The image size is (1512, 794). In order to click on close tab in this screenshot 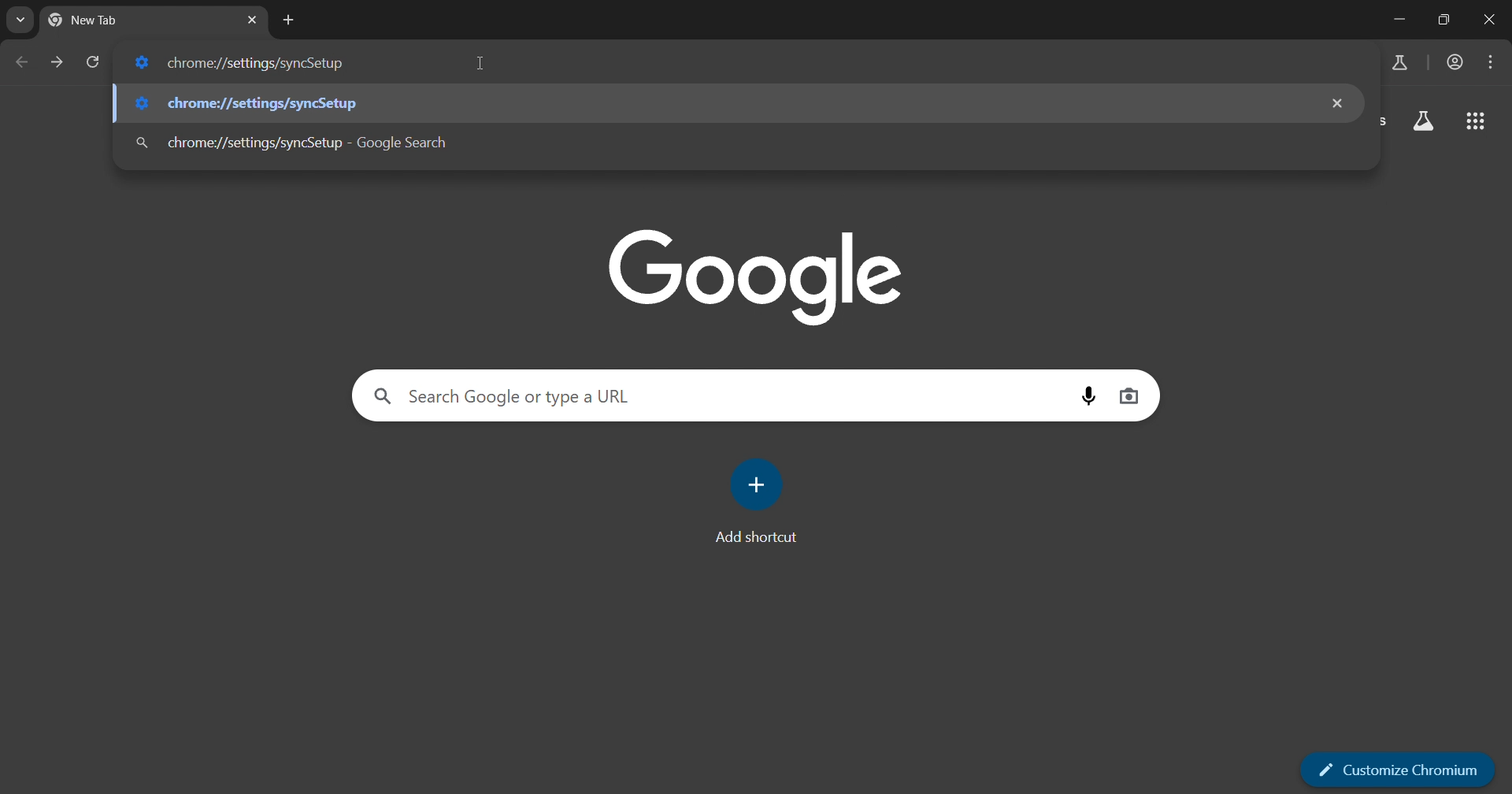, I will do `click(252, 20)`.